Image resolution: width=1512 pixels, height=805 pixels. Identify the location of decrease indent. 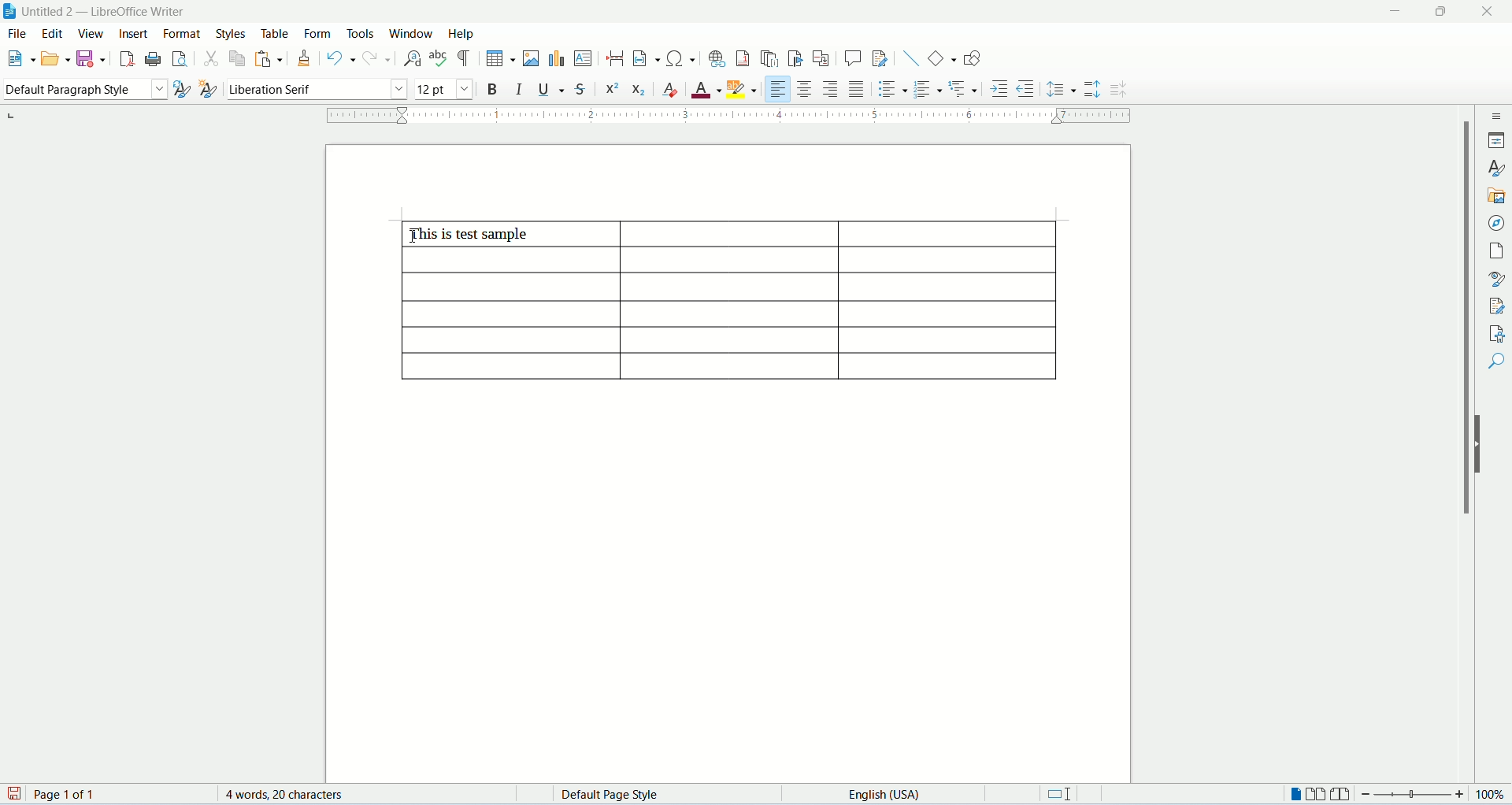
(1026, 89).